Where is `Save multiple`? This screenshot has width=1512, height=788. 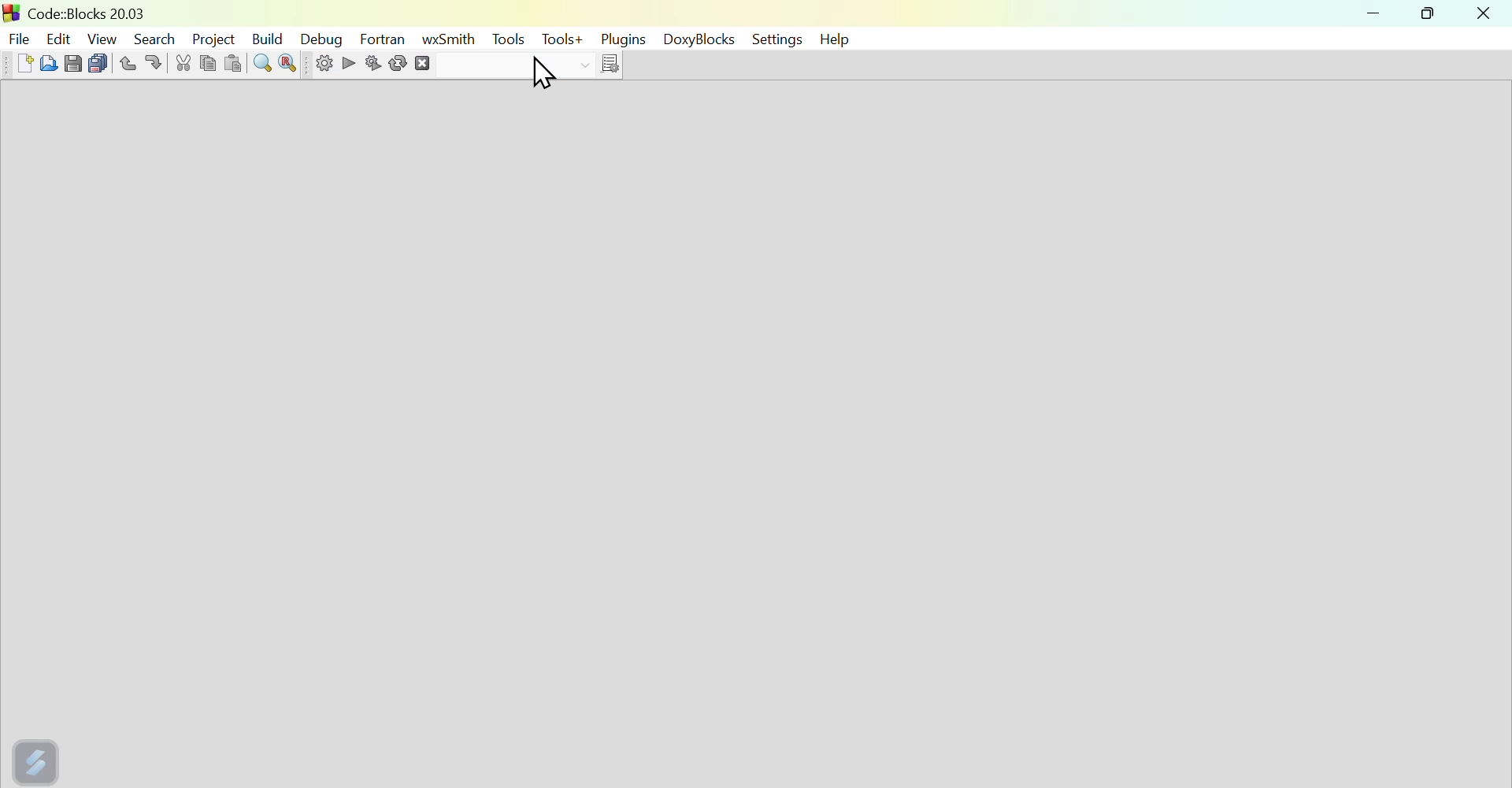
Save multiple is located at coordinates (98, 61).